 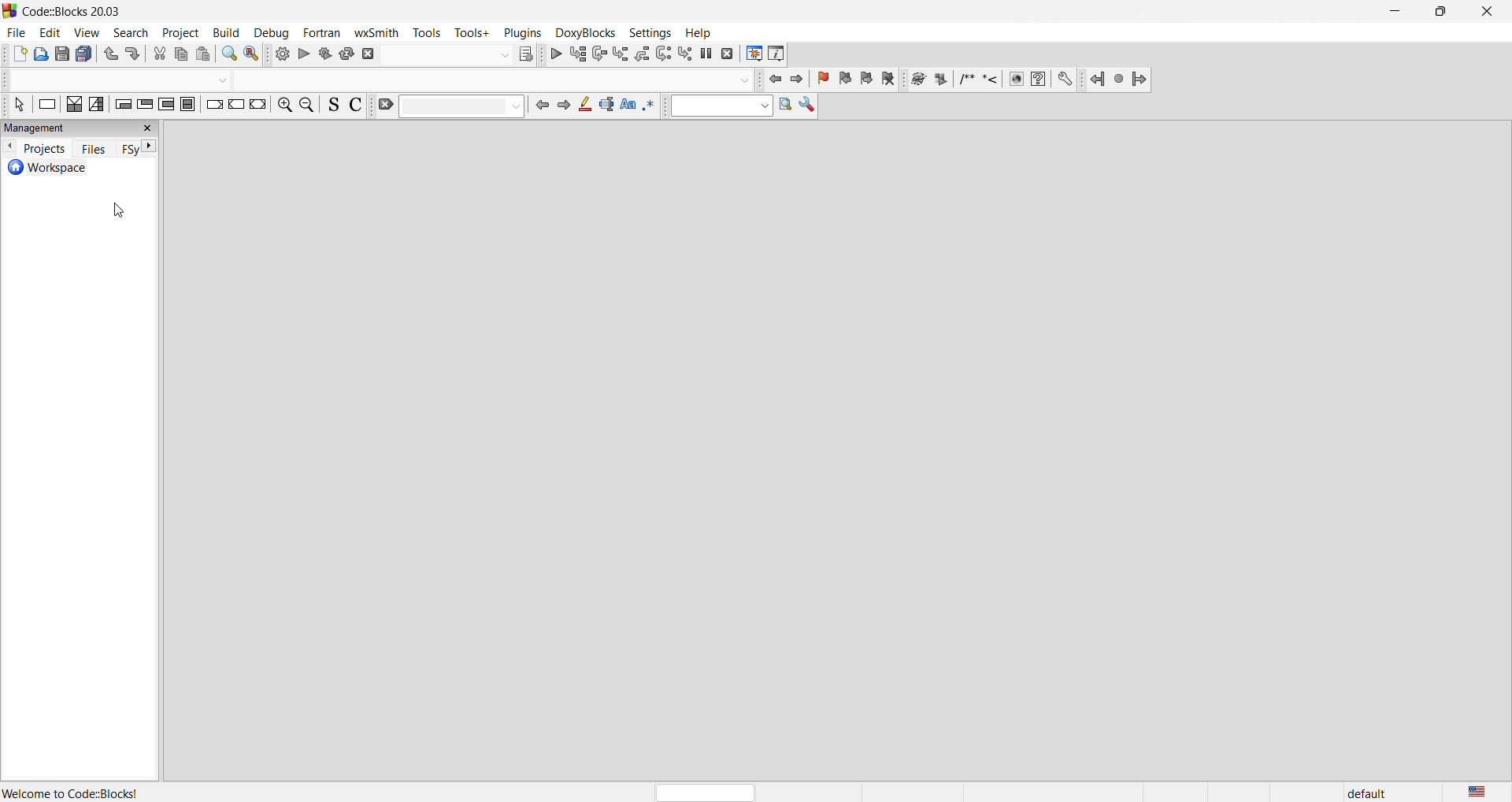 What do you see at coordinates (323, 33) in the screenshot?
I see `fortran` at bounding box center [323, 33].